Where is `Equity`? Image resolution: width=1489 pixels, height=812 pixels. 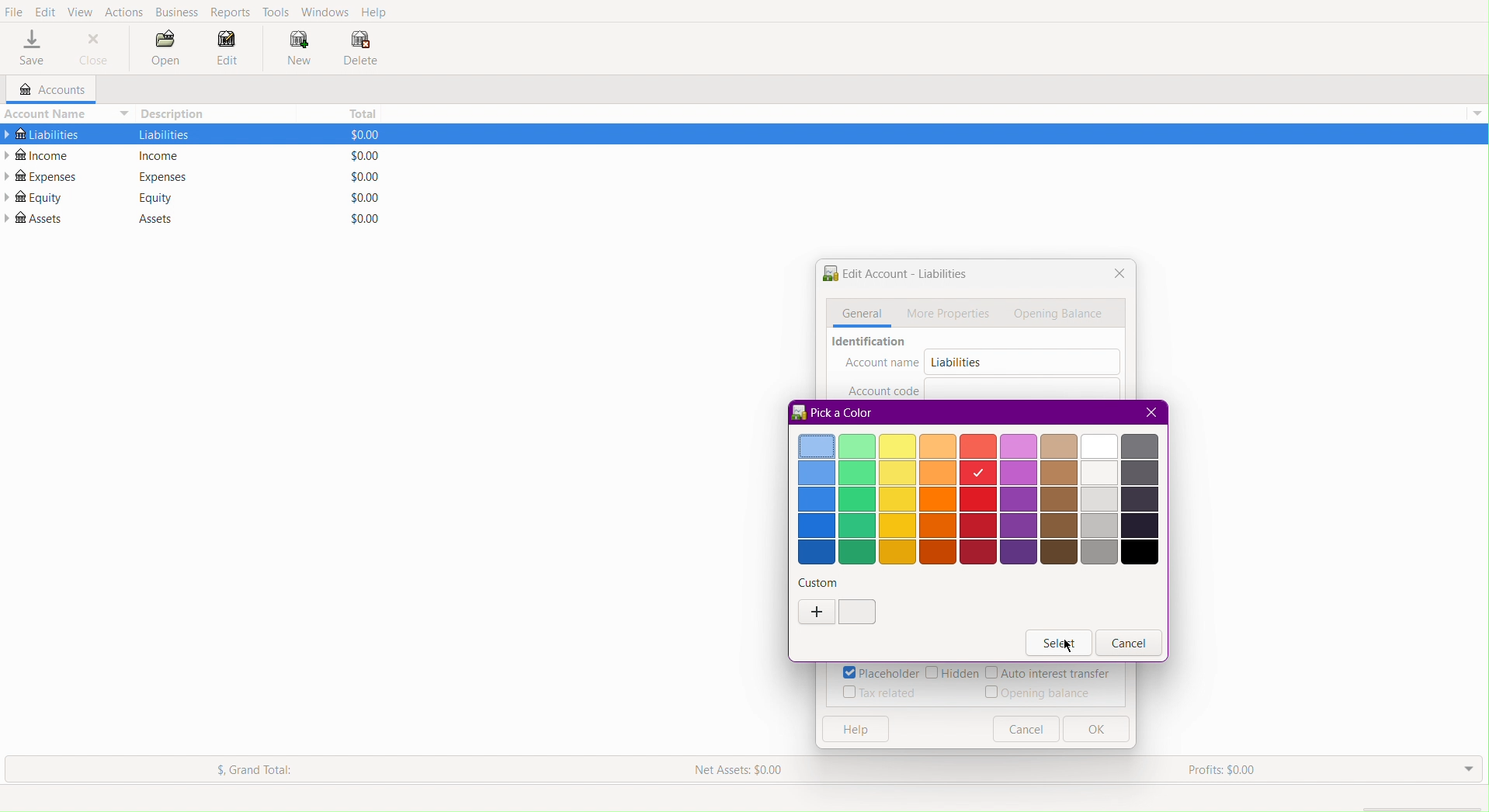 Equity is located at coordinates (157, 197).